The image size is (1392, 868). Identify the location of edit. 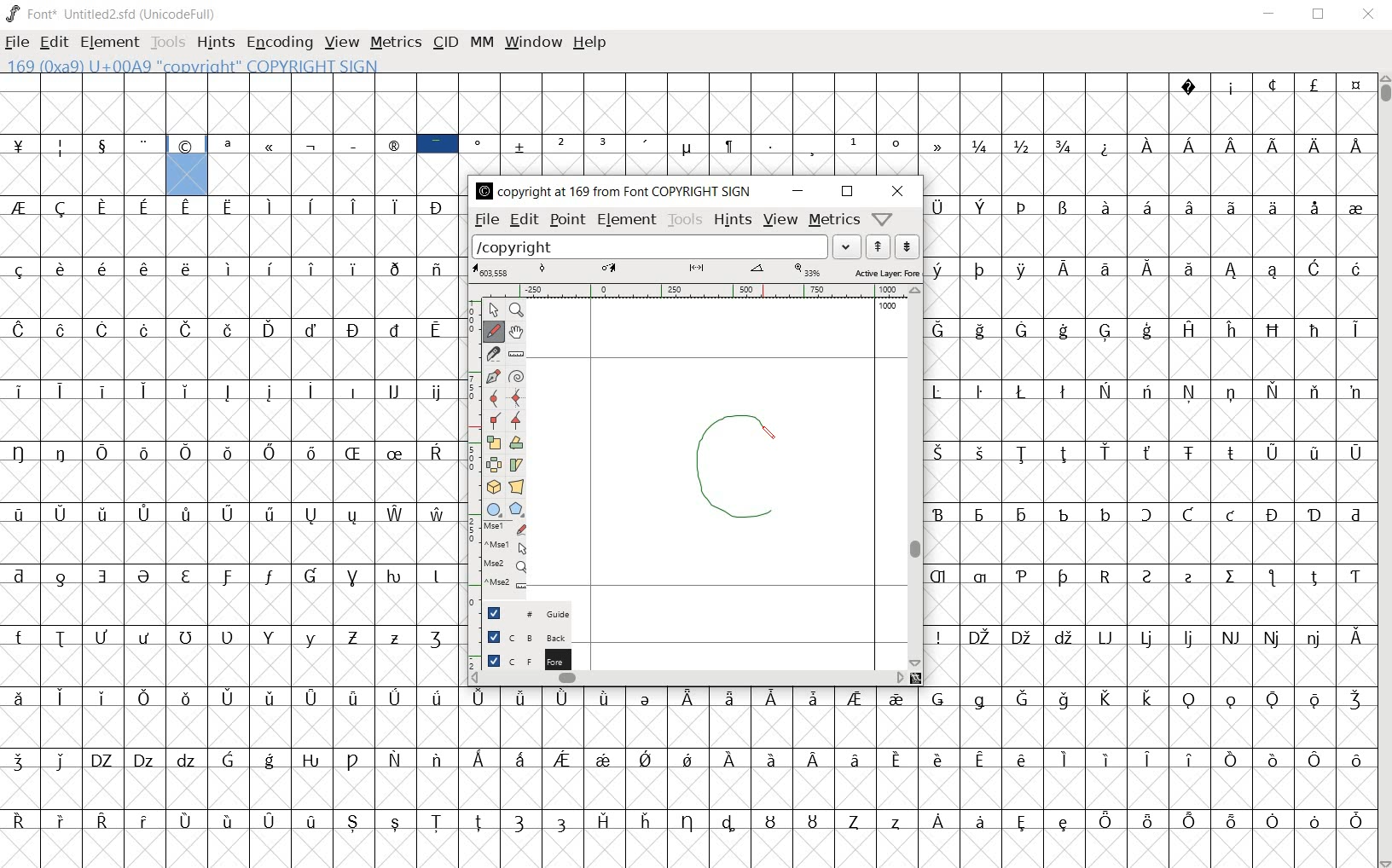
(522, 219).